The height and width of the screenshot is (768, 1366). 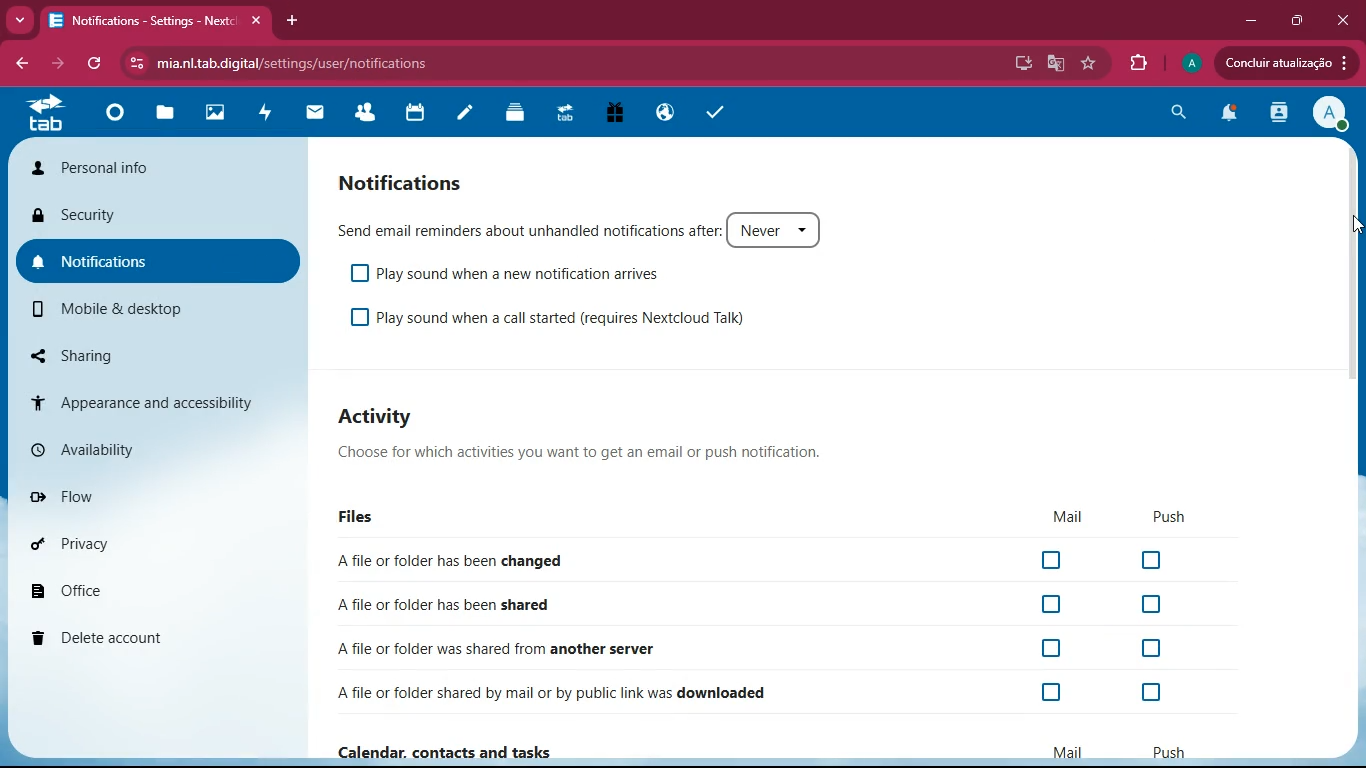 What do you see at coordinates (404, 185) in the screenshot?
I see `Notifications` at bounding box center [404, 185].